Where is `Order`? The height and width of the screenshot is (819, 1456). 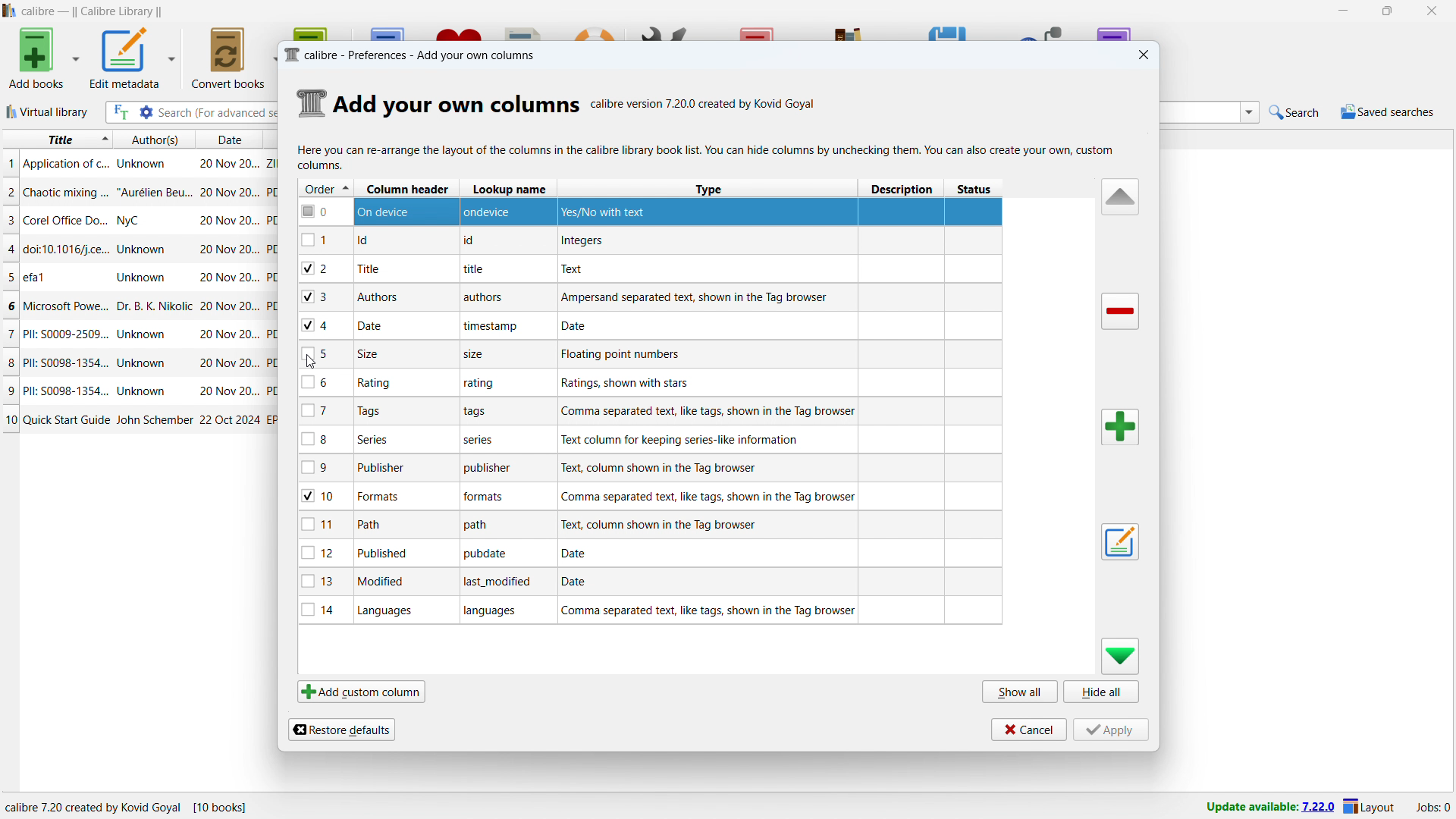
Order is located at coordinates (325, 187).